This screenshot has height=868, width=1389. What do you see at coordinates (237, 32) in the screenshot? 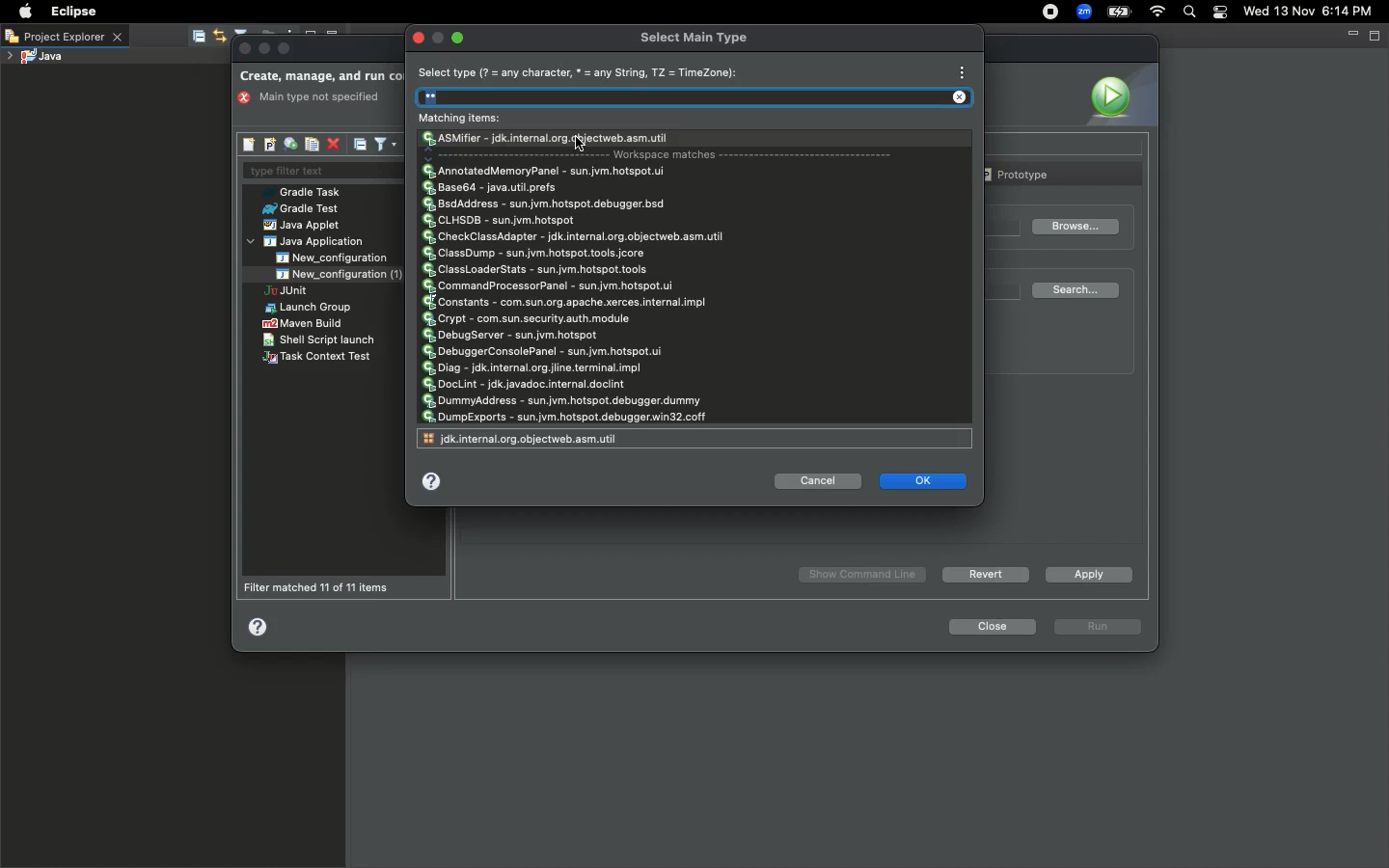
I see `icons` at bounding box center [237, 32].